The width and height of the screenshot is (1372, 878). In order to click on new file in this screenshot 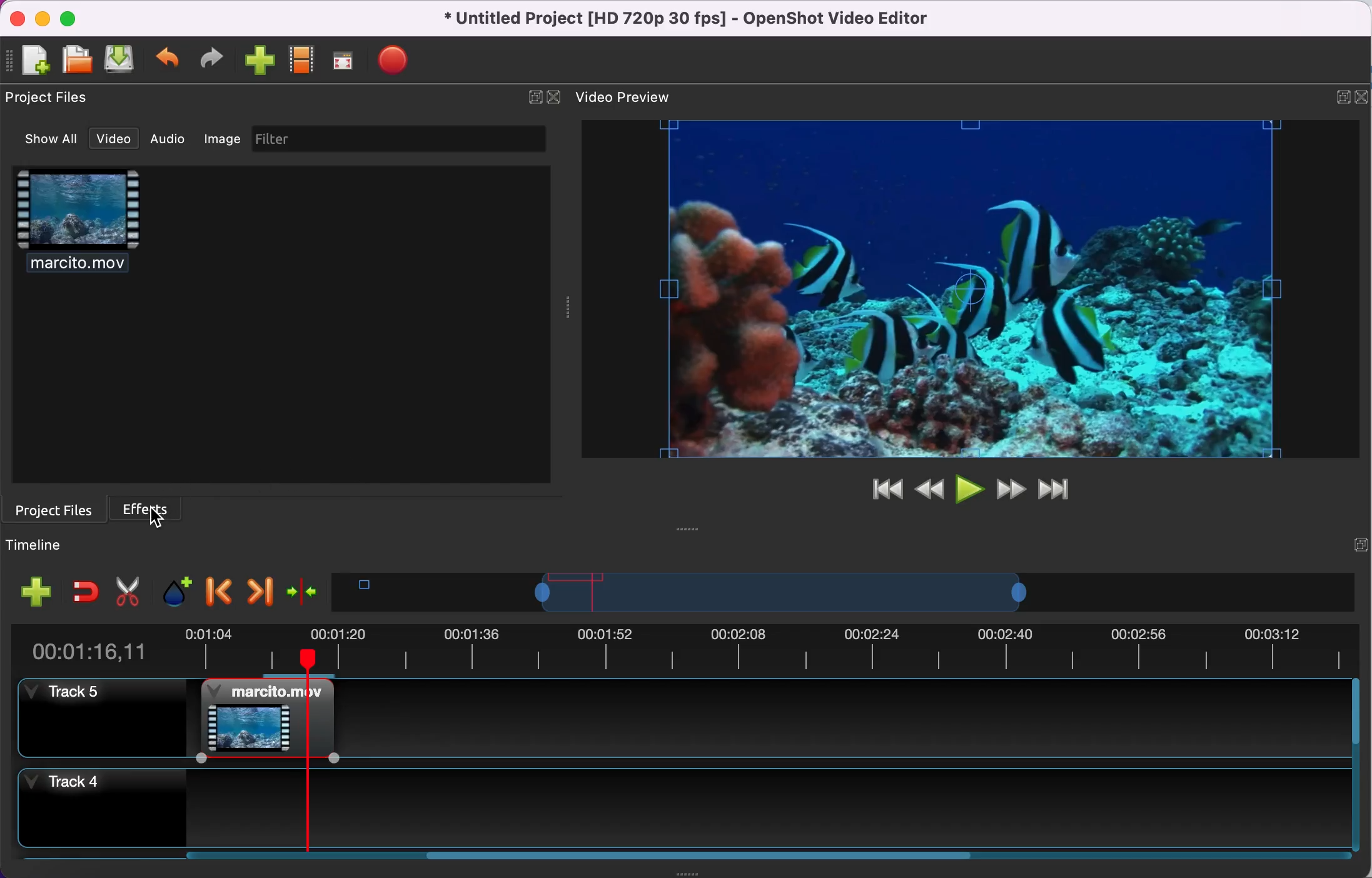, I will do `click(29, 59)`.